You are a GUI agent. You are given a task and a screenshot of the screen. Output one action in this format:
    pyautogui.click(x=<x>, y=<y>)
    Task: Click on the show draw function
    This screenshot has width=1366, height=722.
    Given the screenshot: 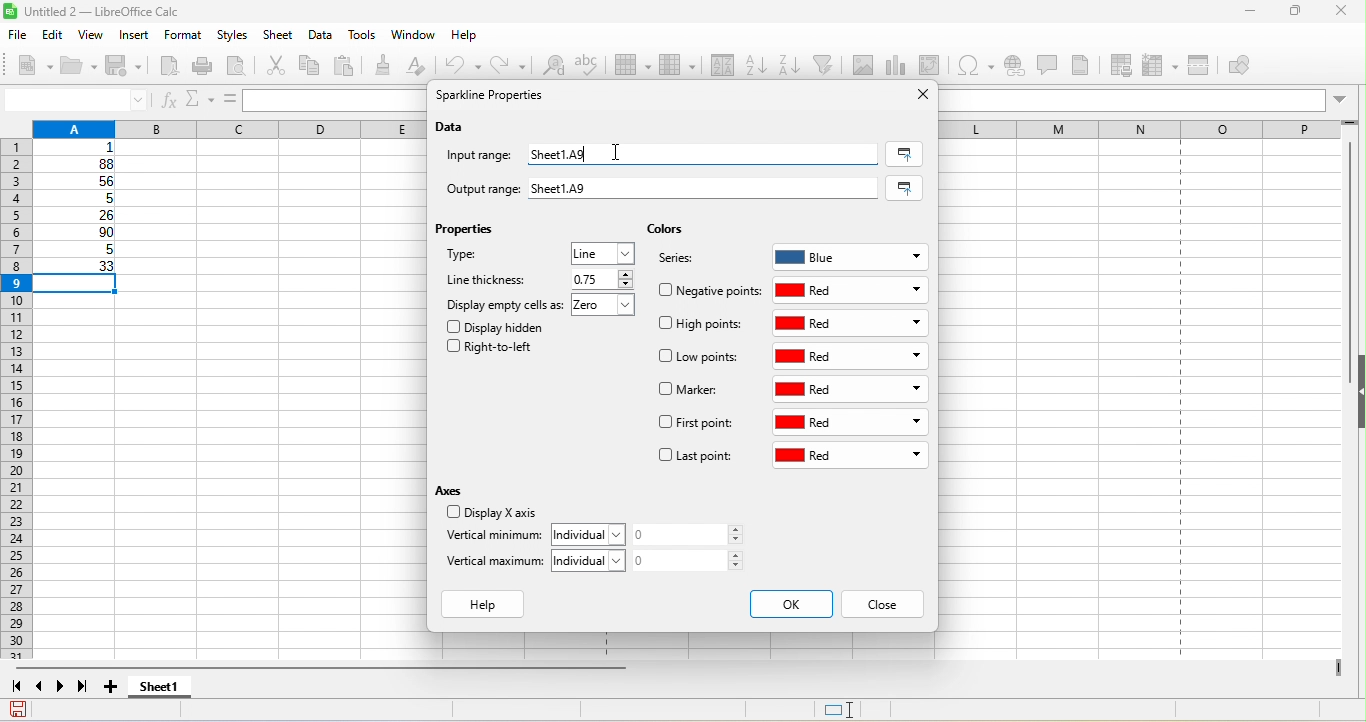 What is the action you would take?
    pyautogui.click(x=1255, y=67)
    